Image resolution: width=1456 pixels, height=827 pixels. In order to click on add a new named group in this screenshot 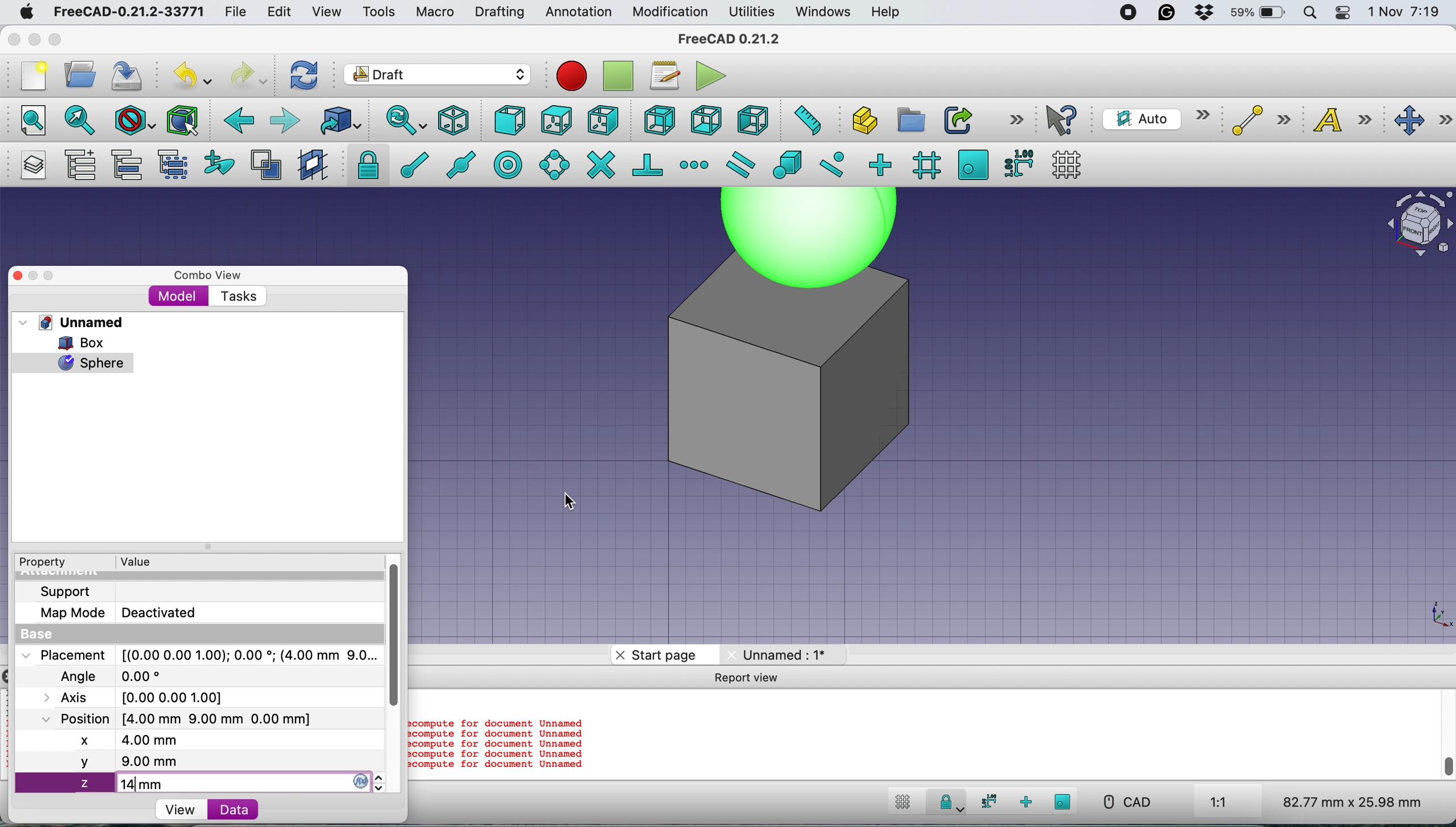, I will do `click(80, 167)`.